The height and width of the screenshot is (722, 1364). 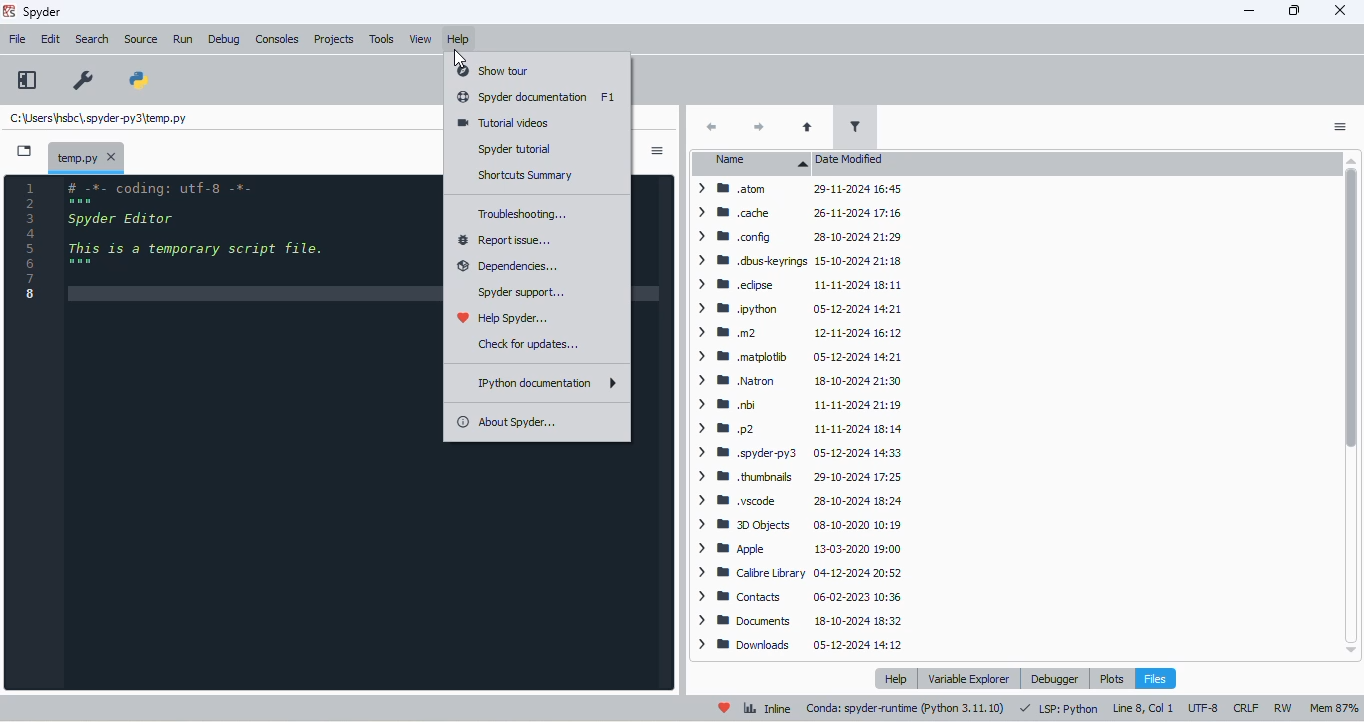 What do you see at coordinates (506, 240) in the screenshot?
I see `report issue` at bounding box center [506, 240].